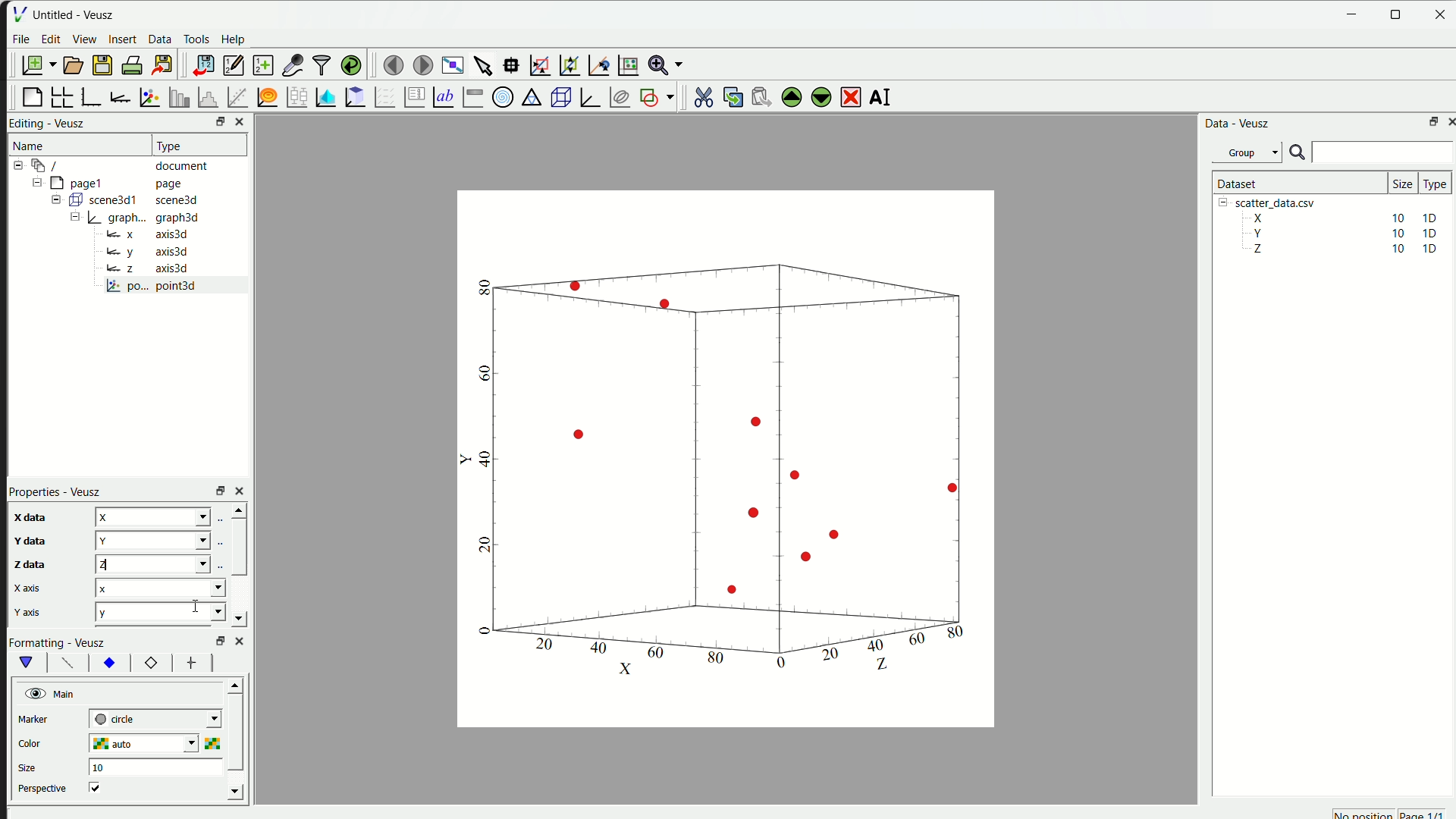 This screenshot has height=819, width=1456. What do you see at coordinates (1235, 124) in the screenshot?
I see `Data - Veusz` at bounding box center [1235, 124].